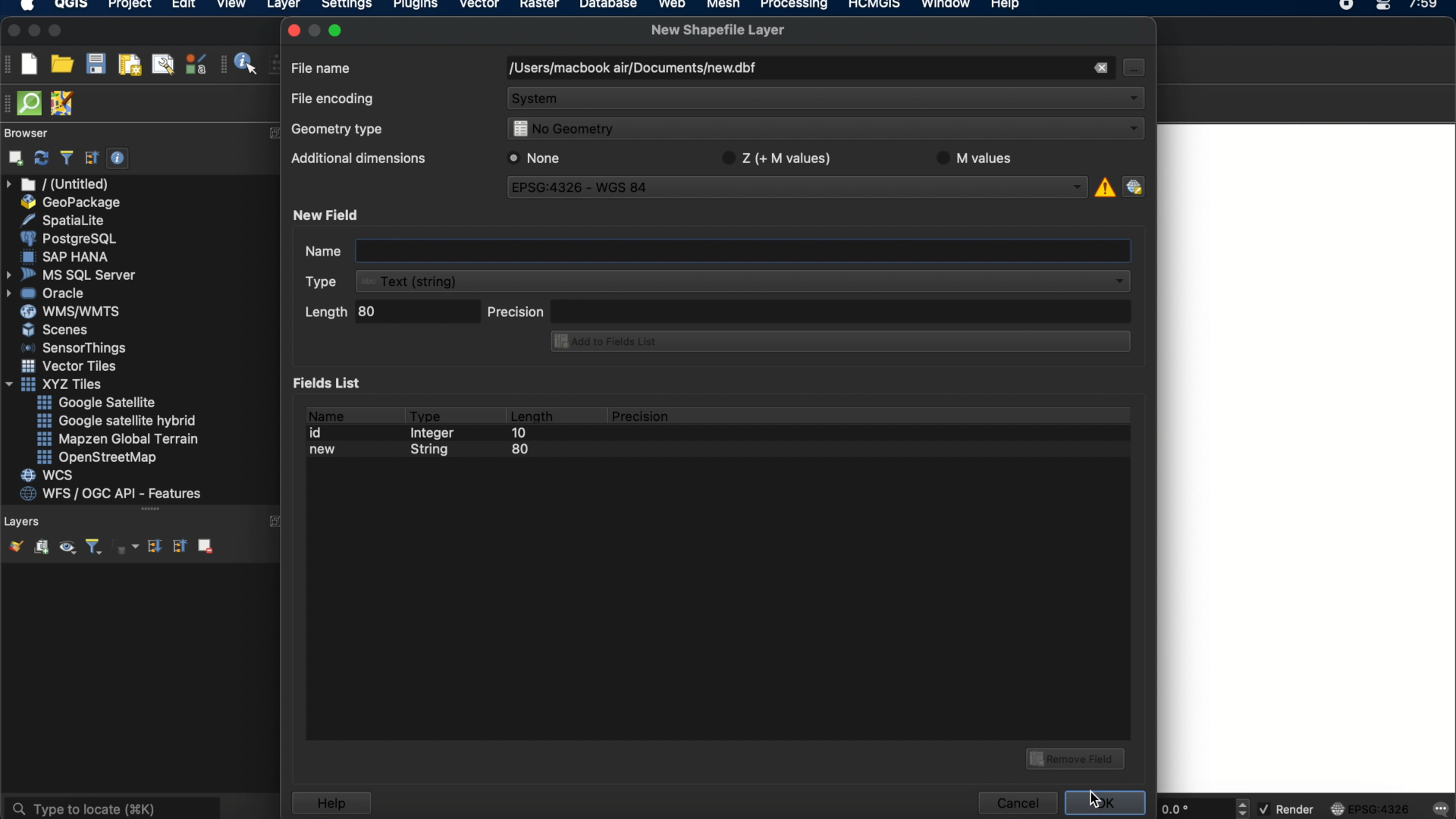 This screenshot has height=819, width=1456. Describe the element at coordinates (231, 6) in the screenshot. I see `view` at that location.